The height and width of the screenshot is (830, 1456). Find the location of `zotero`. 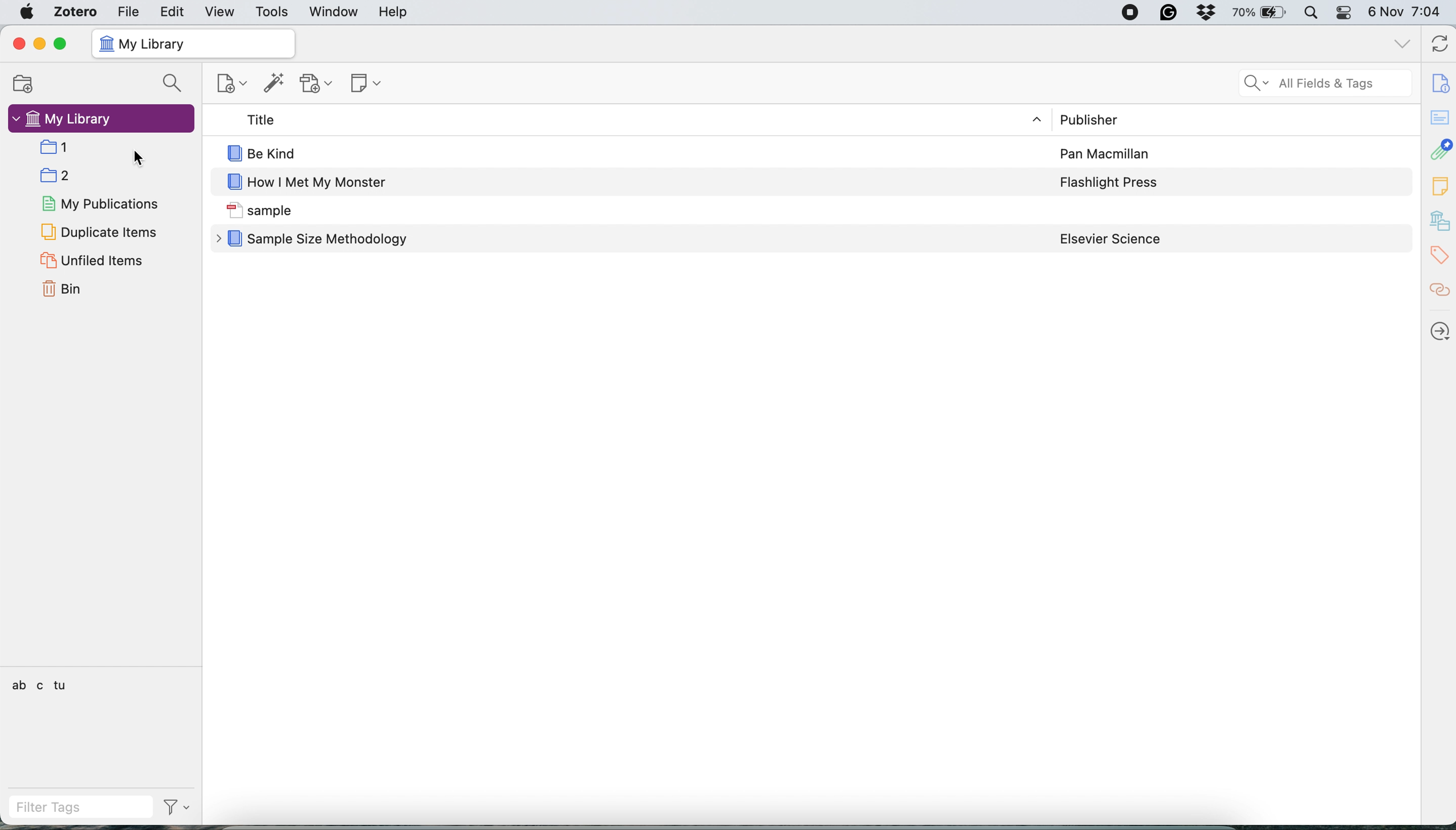

zotero is located at coordinates (77, 13).